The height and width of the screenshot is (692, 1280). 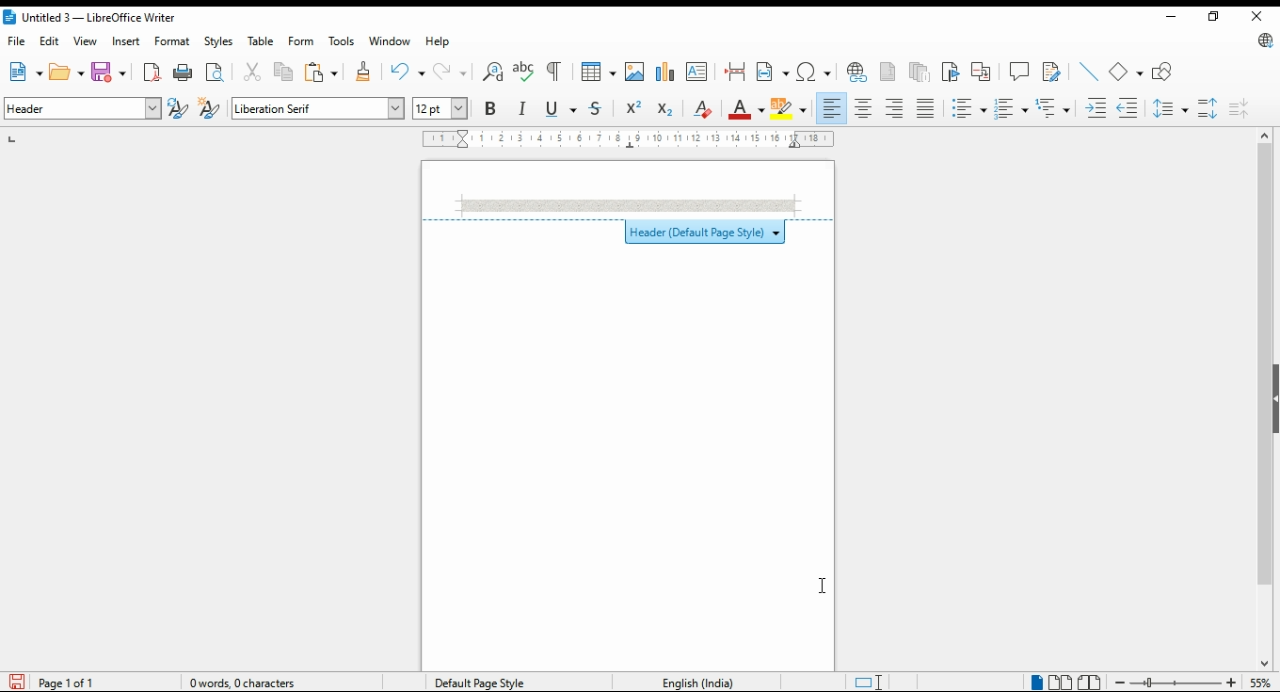 What do you see at coordinates (263, 41) in the screenshot?
I see `table` at bounding box center [263, 41].